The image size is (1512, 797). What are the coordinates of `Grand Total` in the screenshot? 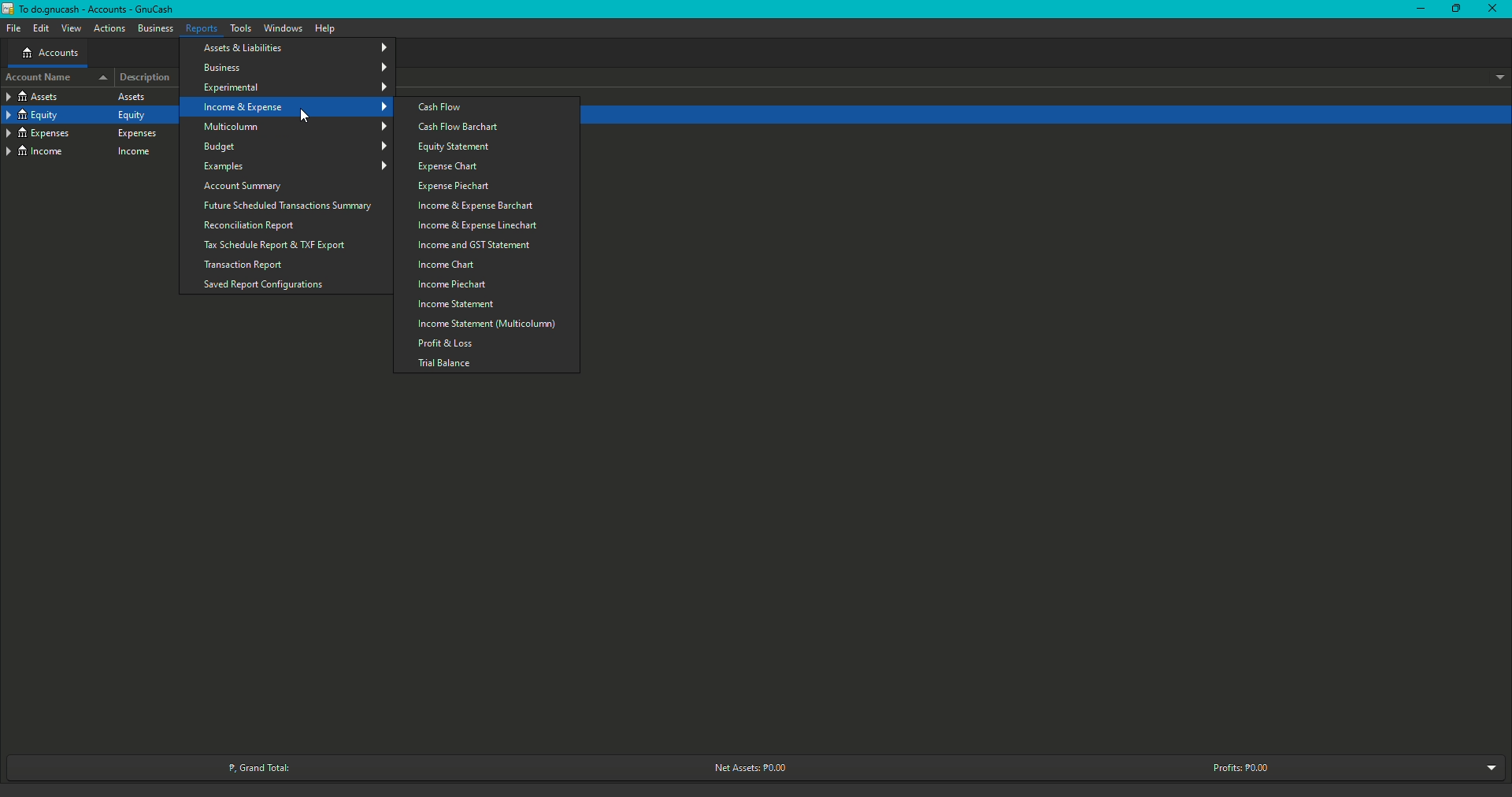 It's located at (268, 765).